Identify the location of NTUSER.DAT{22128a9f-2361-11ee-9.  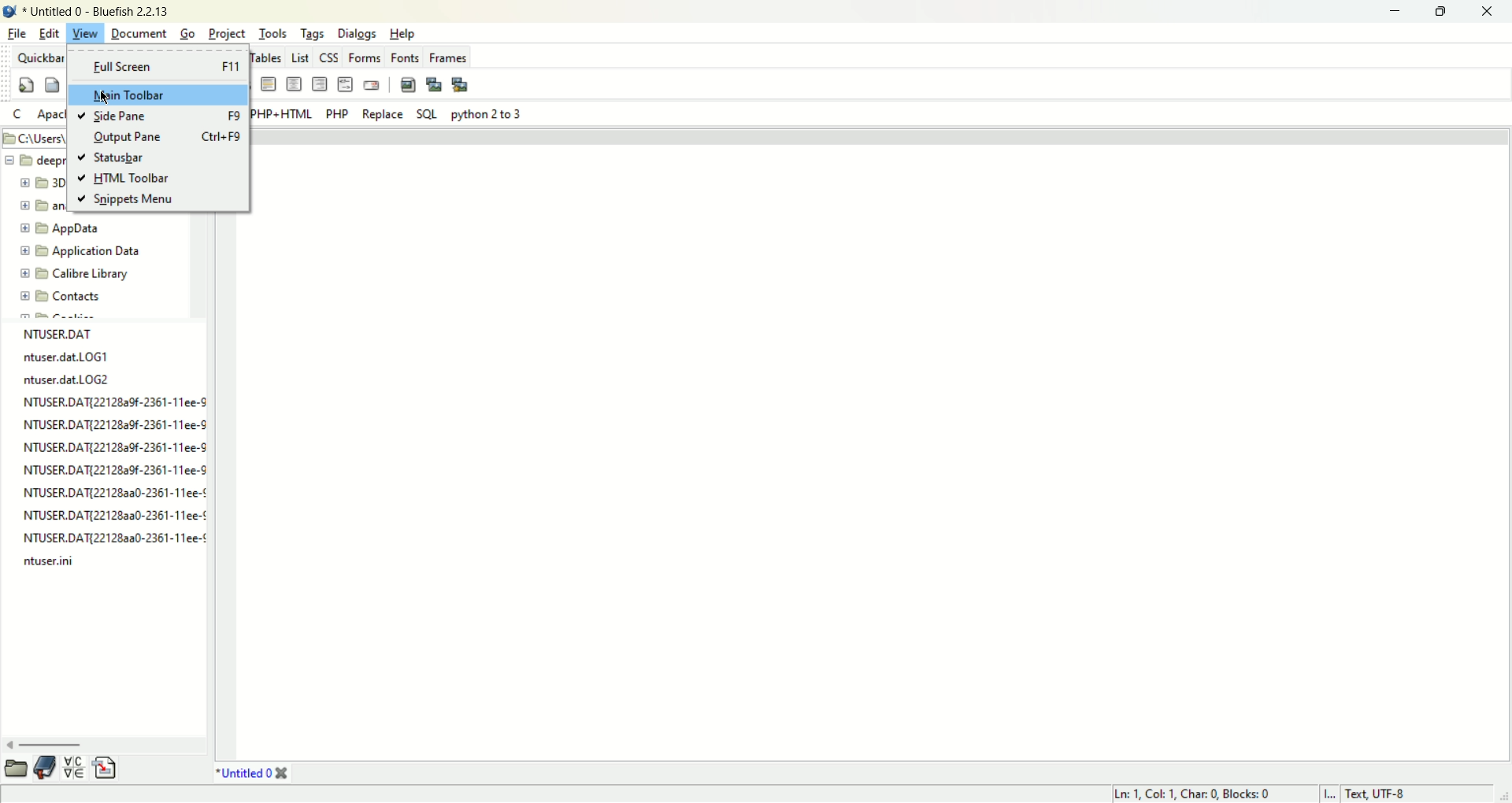
(115, 425).